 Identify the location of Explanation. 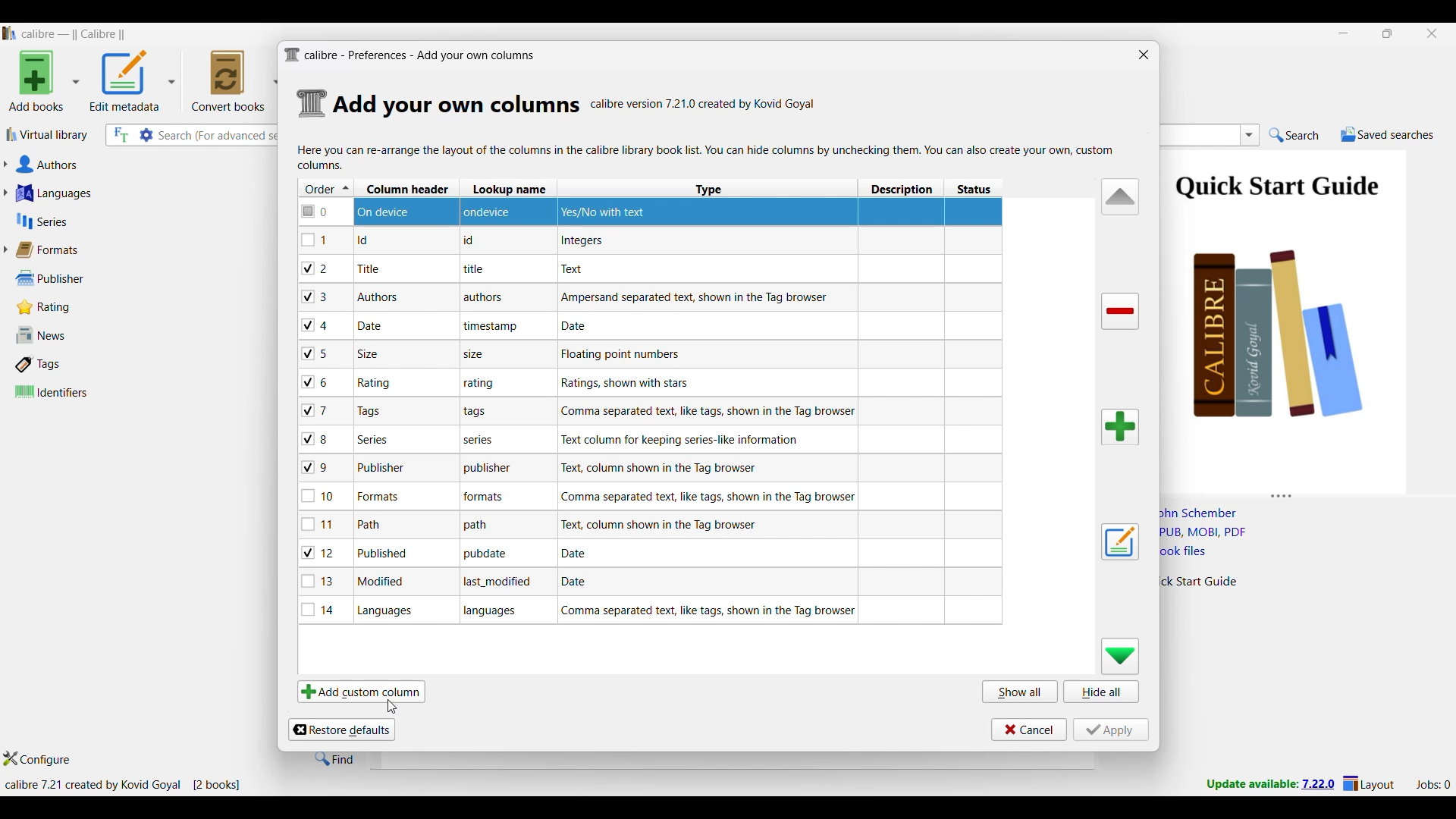
(582, 325).